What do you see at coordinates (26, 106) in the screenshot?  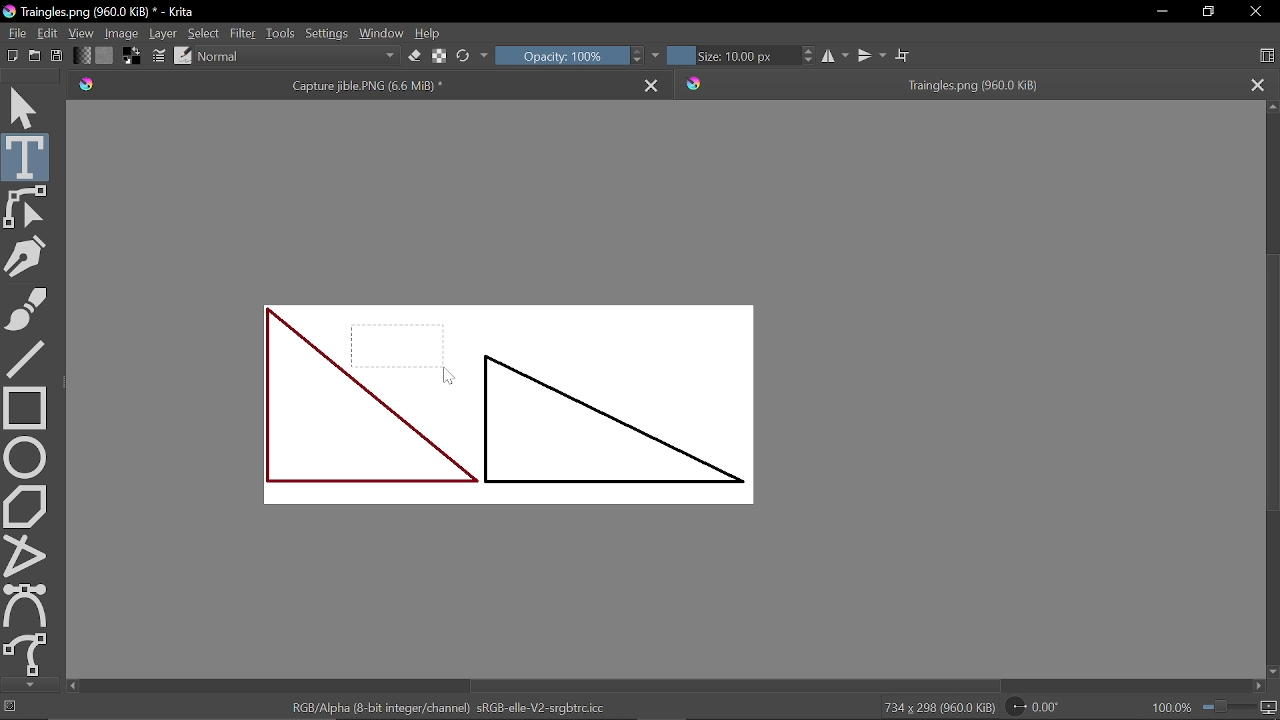 I see `Move tool` at bounding box center [26, 106].